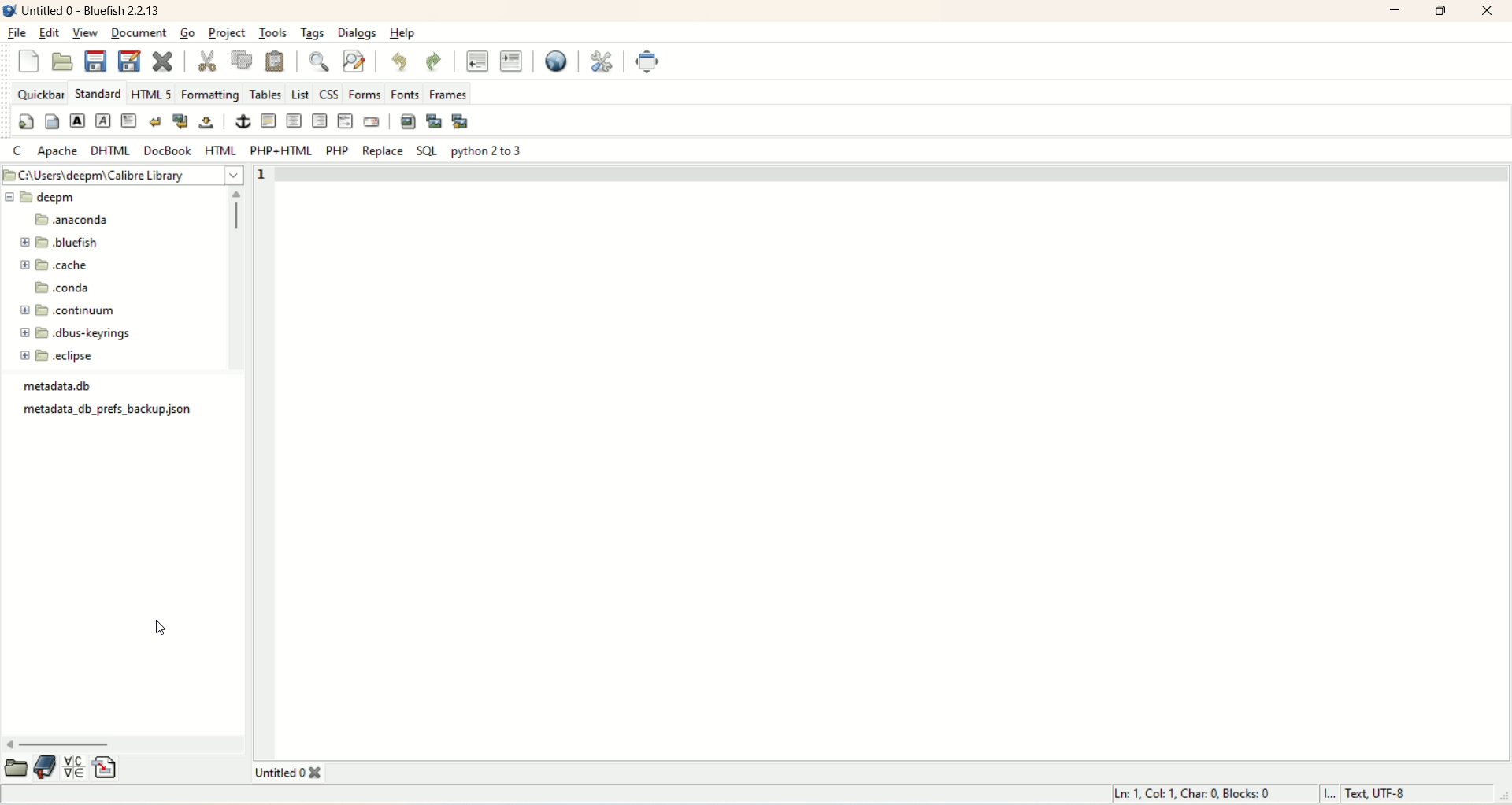 The image size is (1512, 805). I want to click on anchor/hyperlink, so click(243, 121).